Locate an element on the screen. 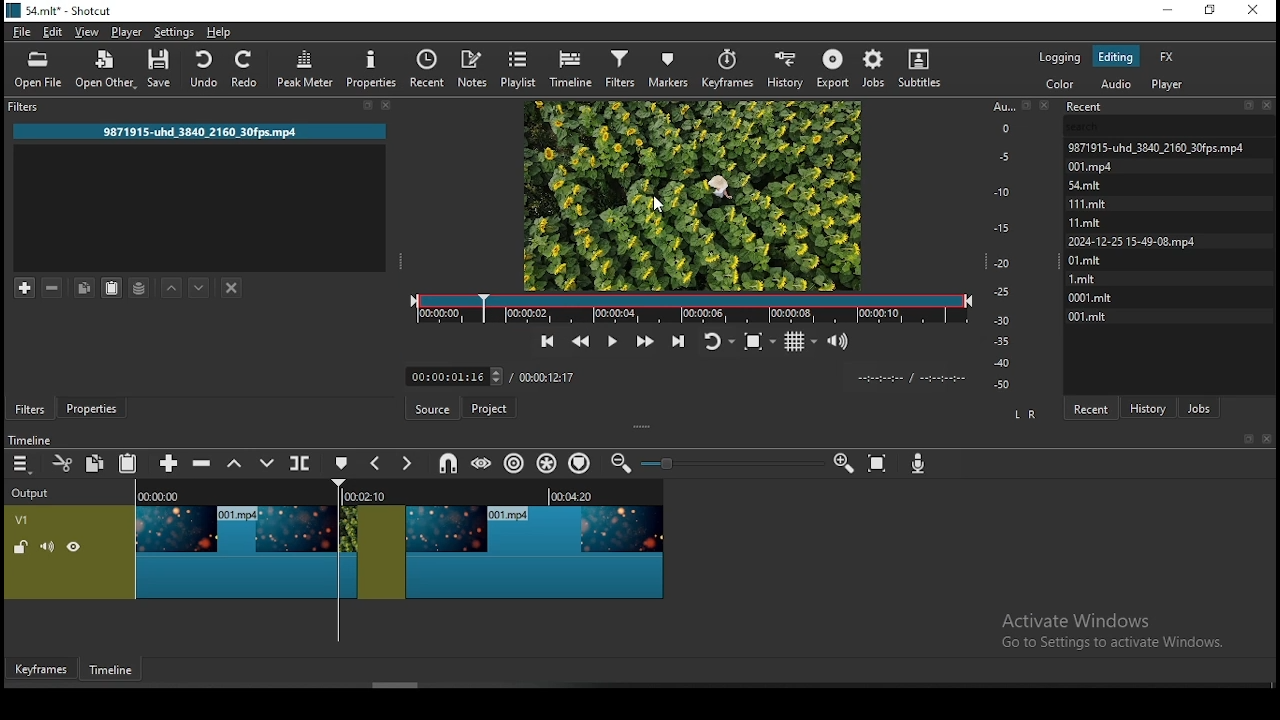  paste is located at coordinates (128, 462).